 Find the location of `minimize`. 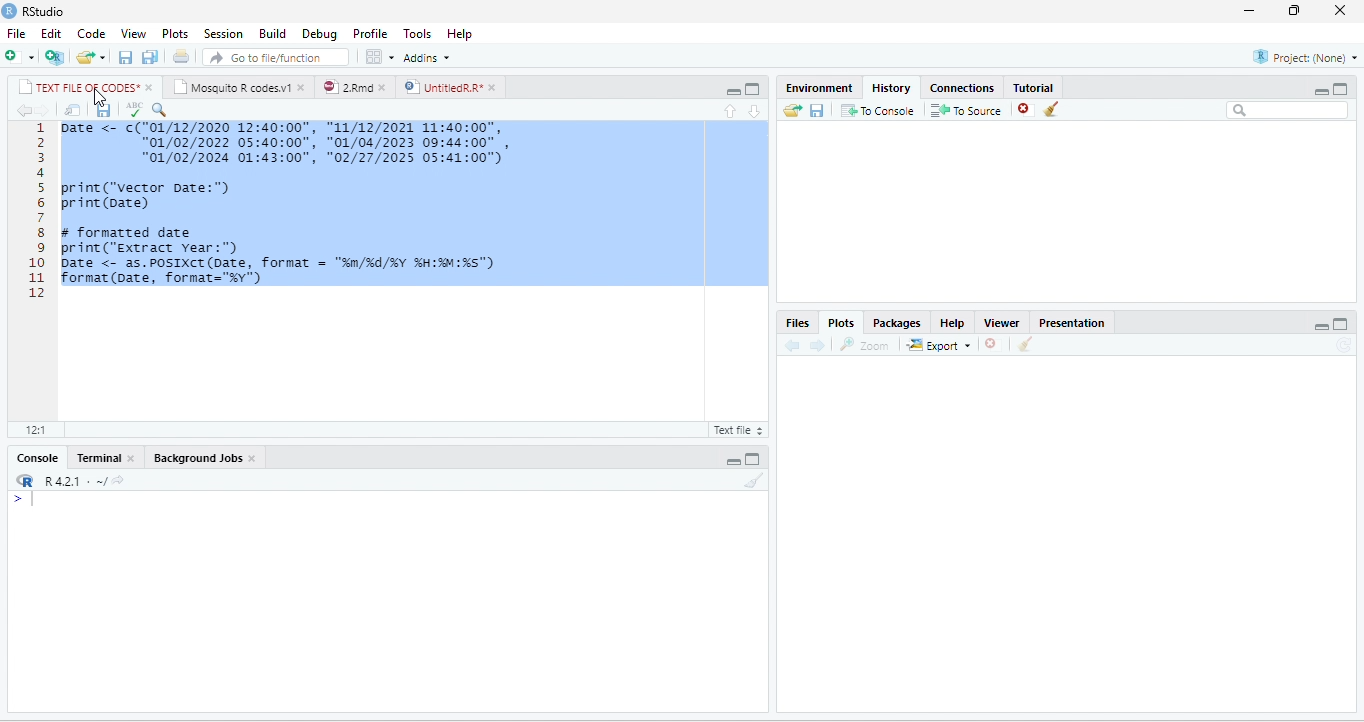

minimize is located at coordinates (733, 462).